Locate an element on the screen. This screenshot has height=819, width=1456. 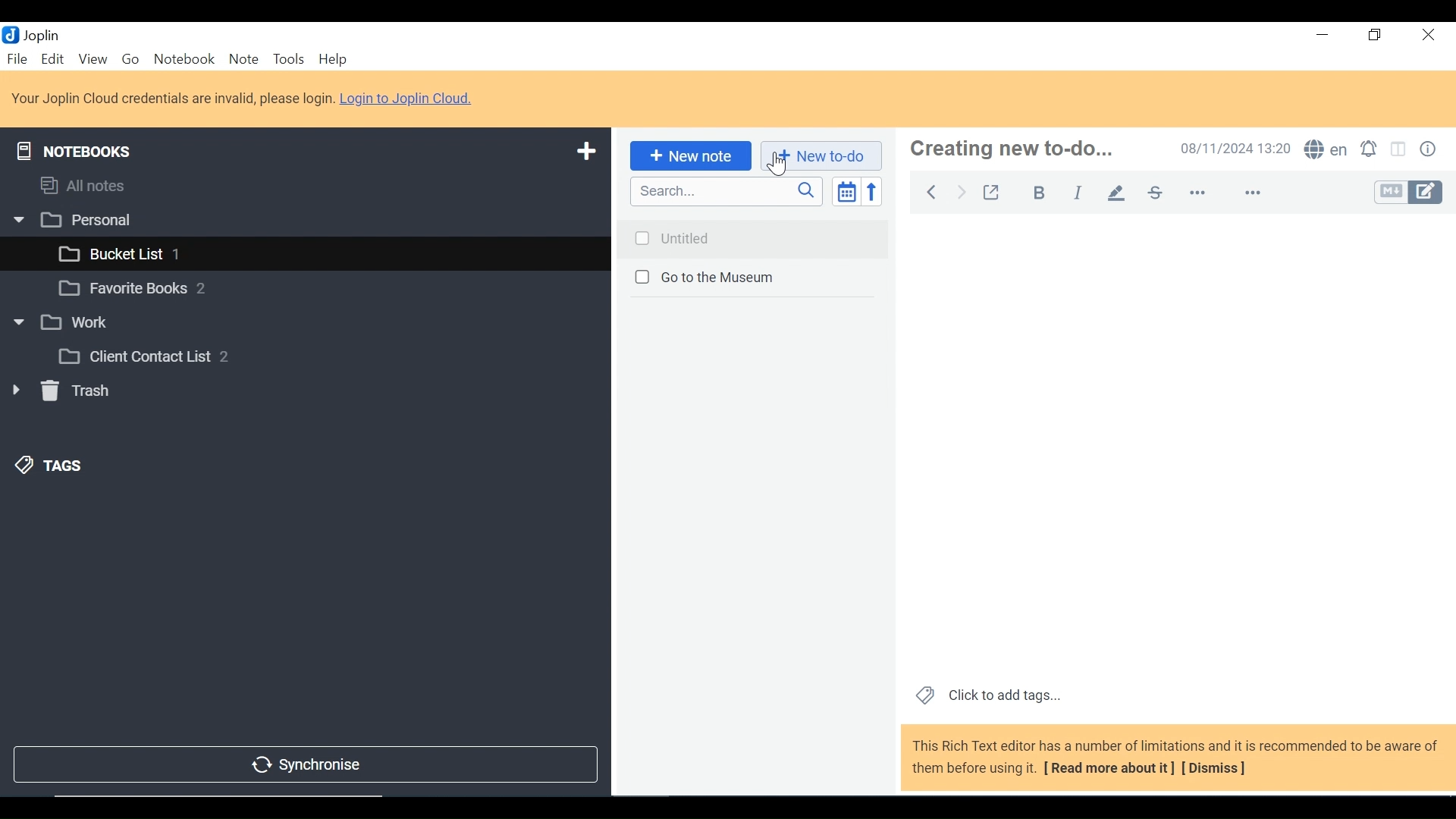
This Rich Text editor has a number of limitations and it is recommended to be aware of them before using it is located at coordinates (1176, 758).